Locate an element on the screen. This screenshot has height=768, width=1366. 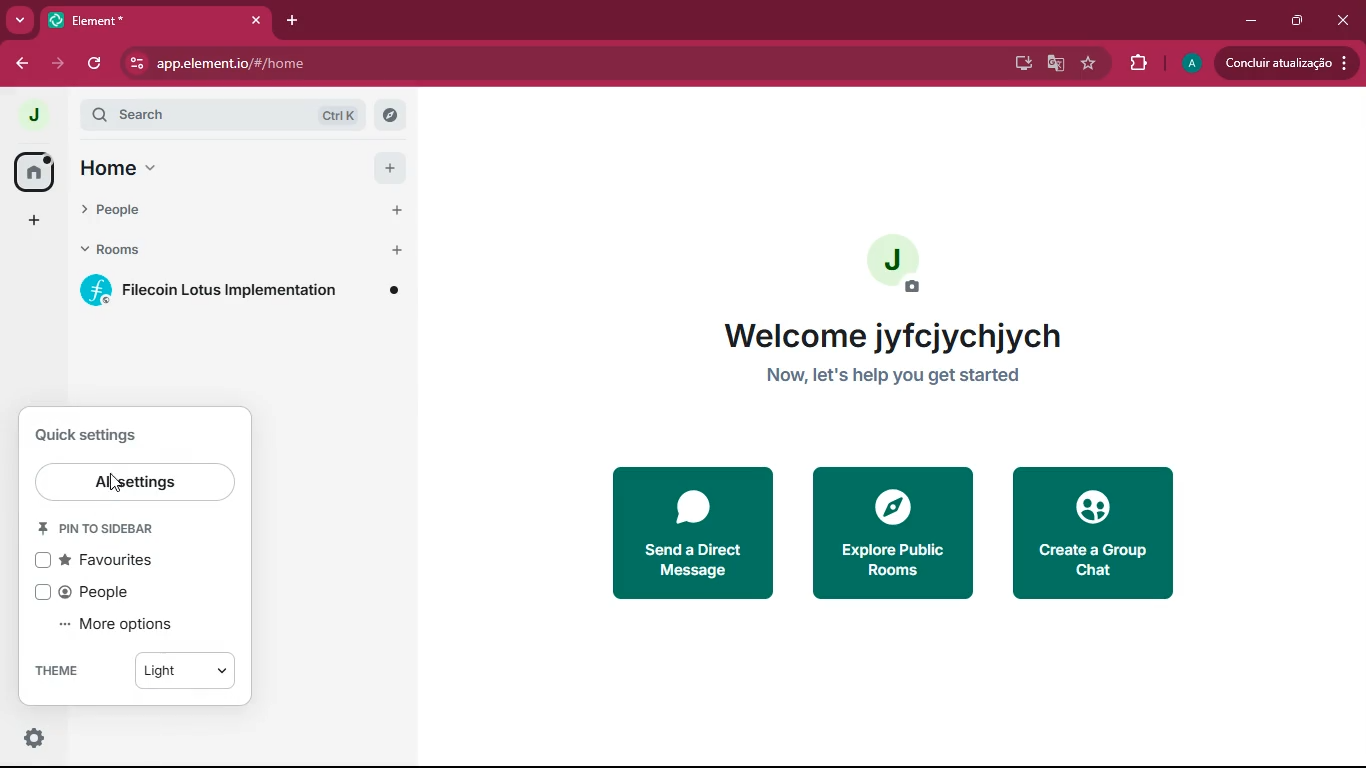
explore is located at coordinates (389, 115).